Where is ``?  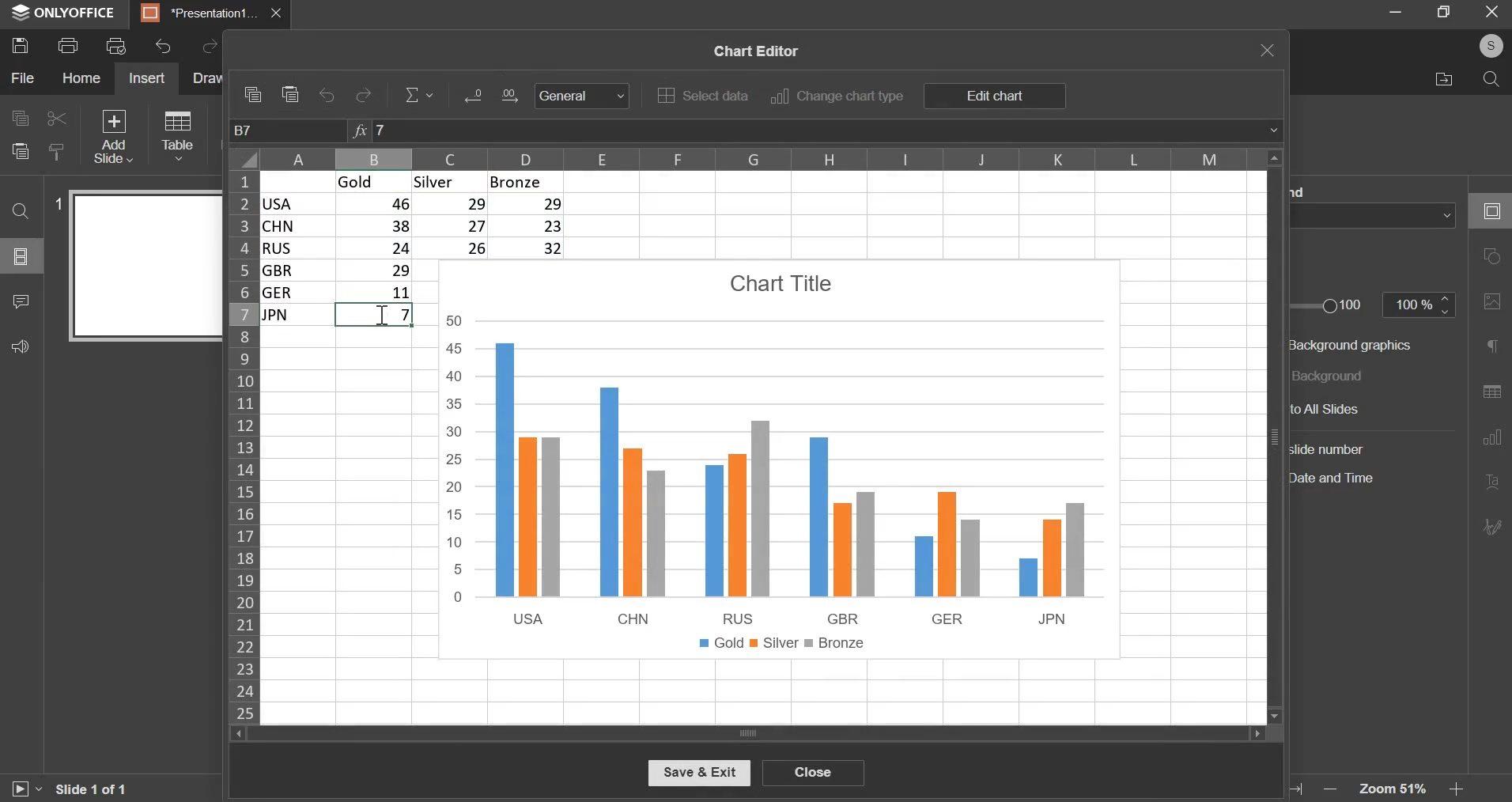
 is located at coordinates (472, 98).